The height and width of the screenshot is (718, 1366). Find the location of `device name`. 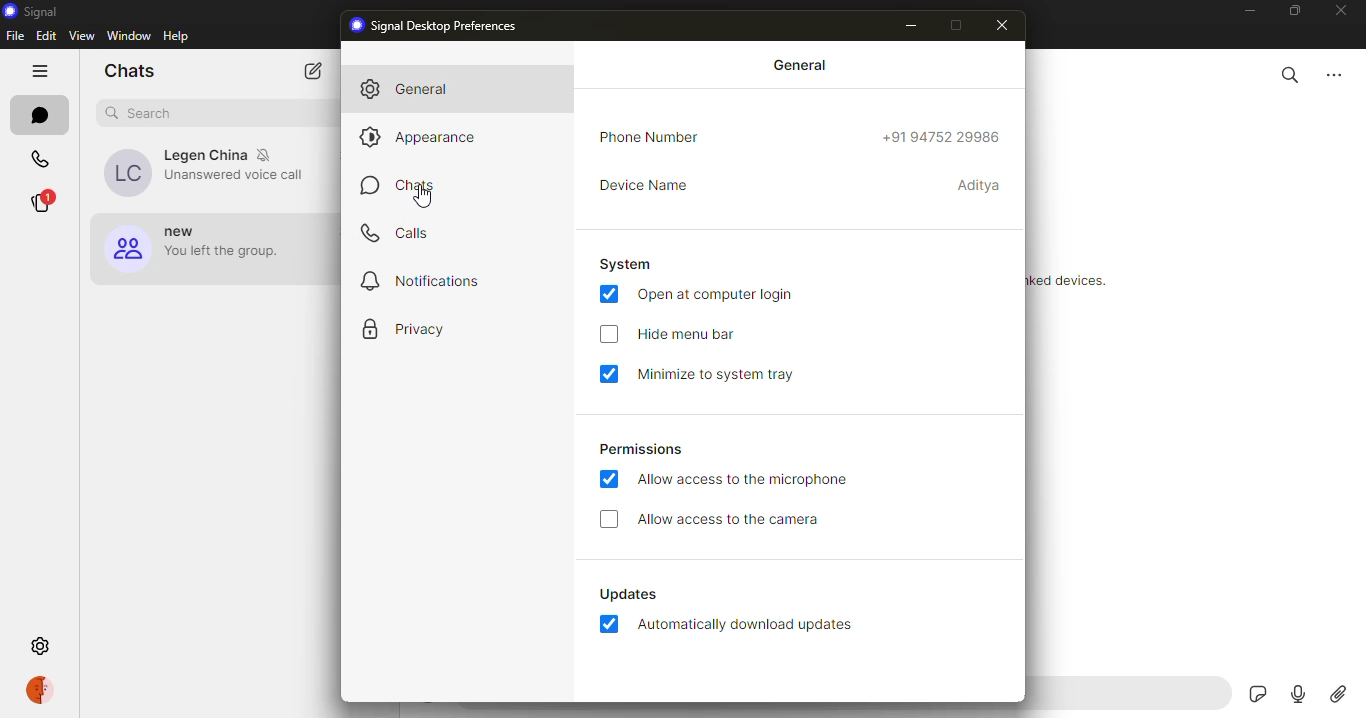

device name is located at coordinates (649, 183).